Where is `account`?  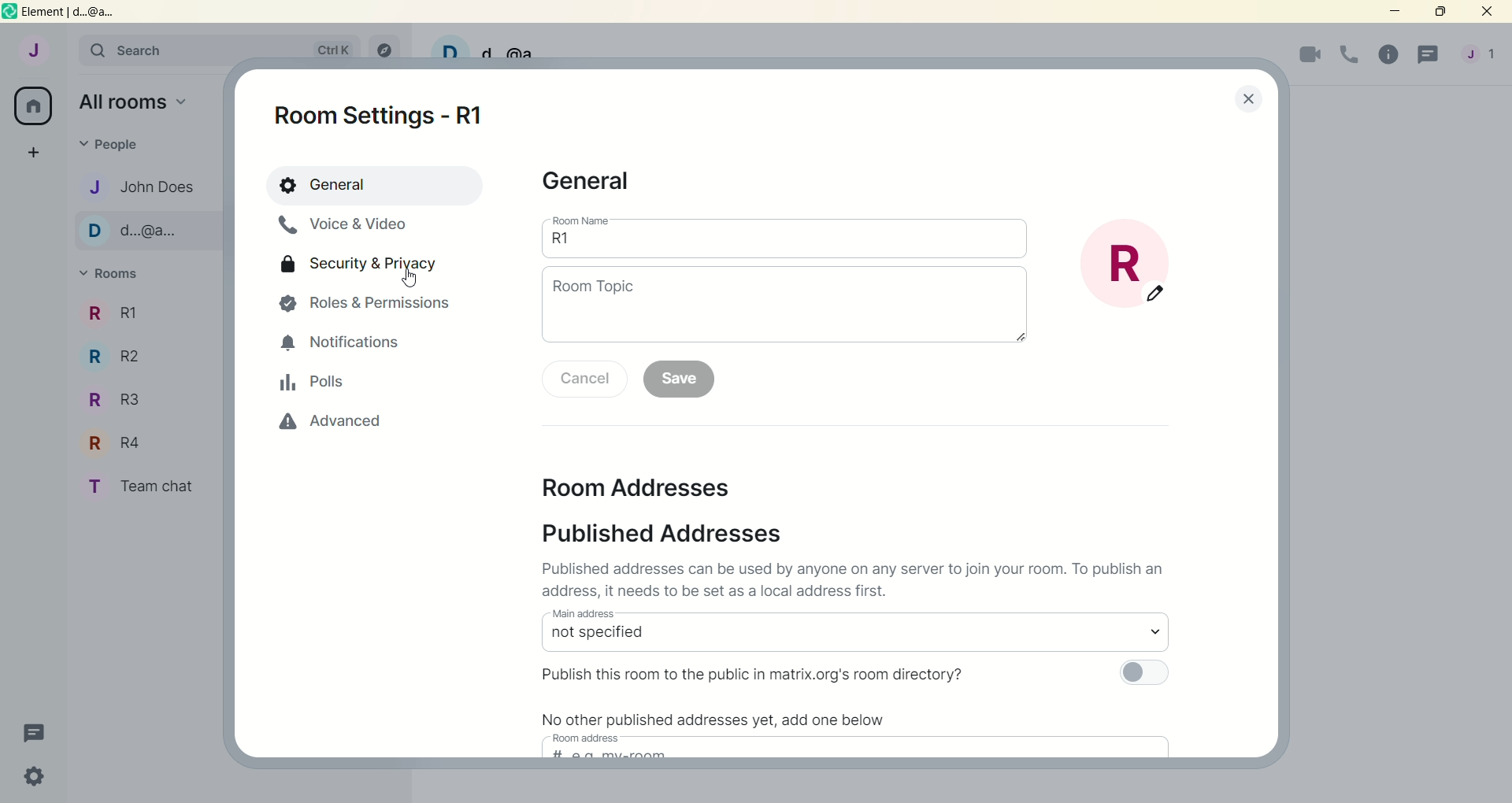
account is located at coordinates (1480, 54).